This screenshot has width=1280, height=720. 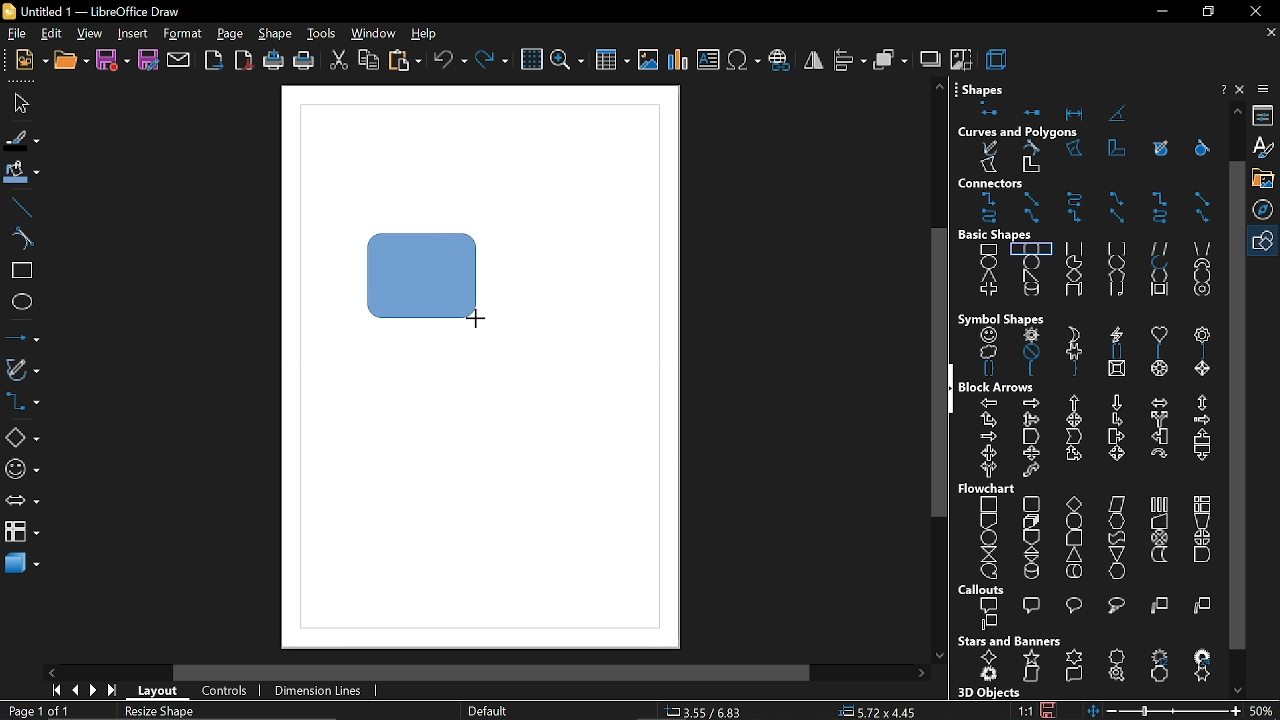 I want to click on current window, so click(x=98, y=11).